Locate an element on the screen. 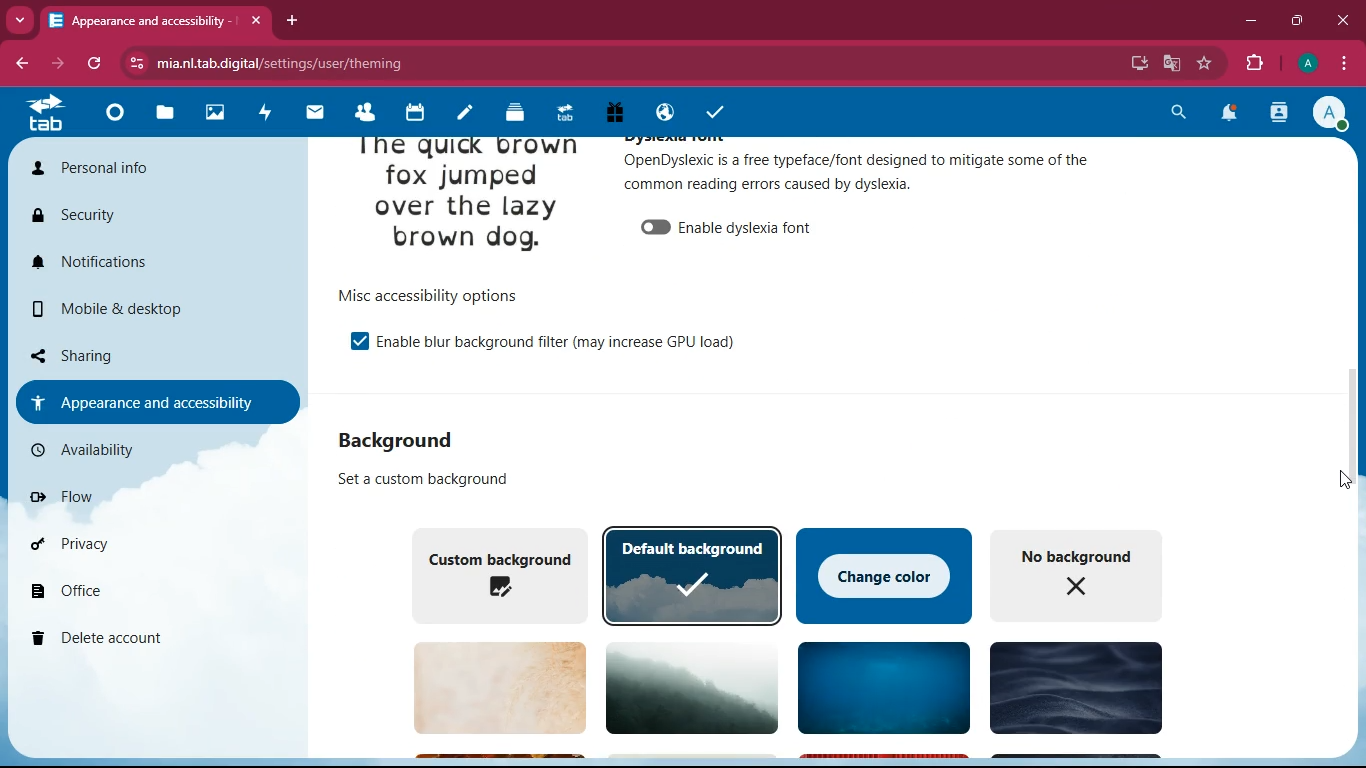  more is located at coordinates (22, 18).